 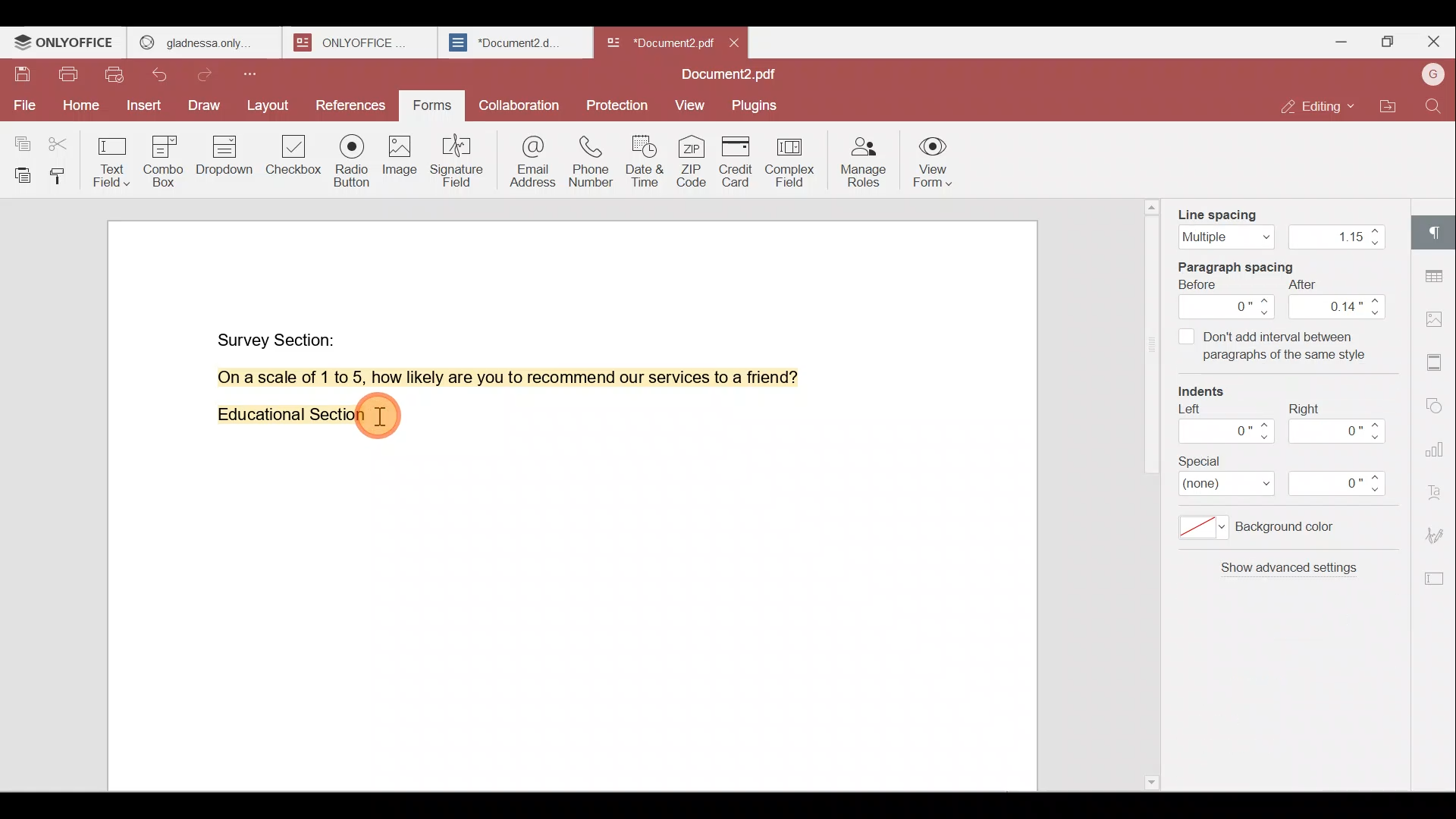 What do you see at coordinates (1436, 402) in the screenshot?
I see `Shapes settings` at bounding box center [1436, 402].